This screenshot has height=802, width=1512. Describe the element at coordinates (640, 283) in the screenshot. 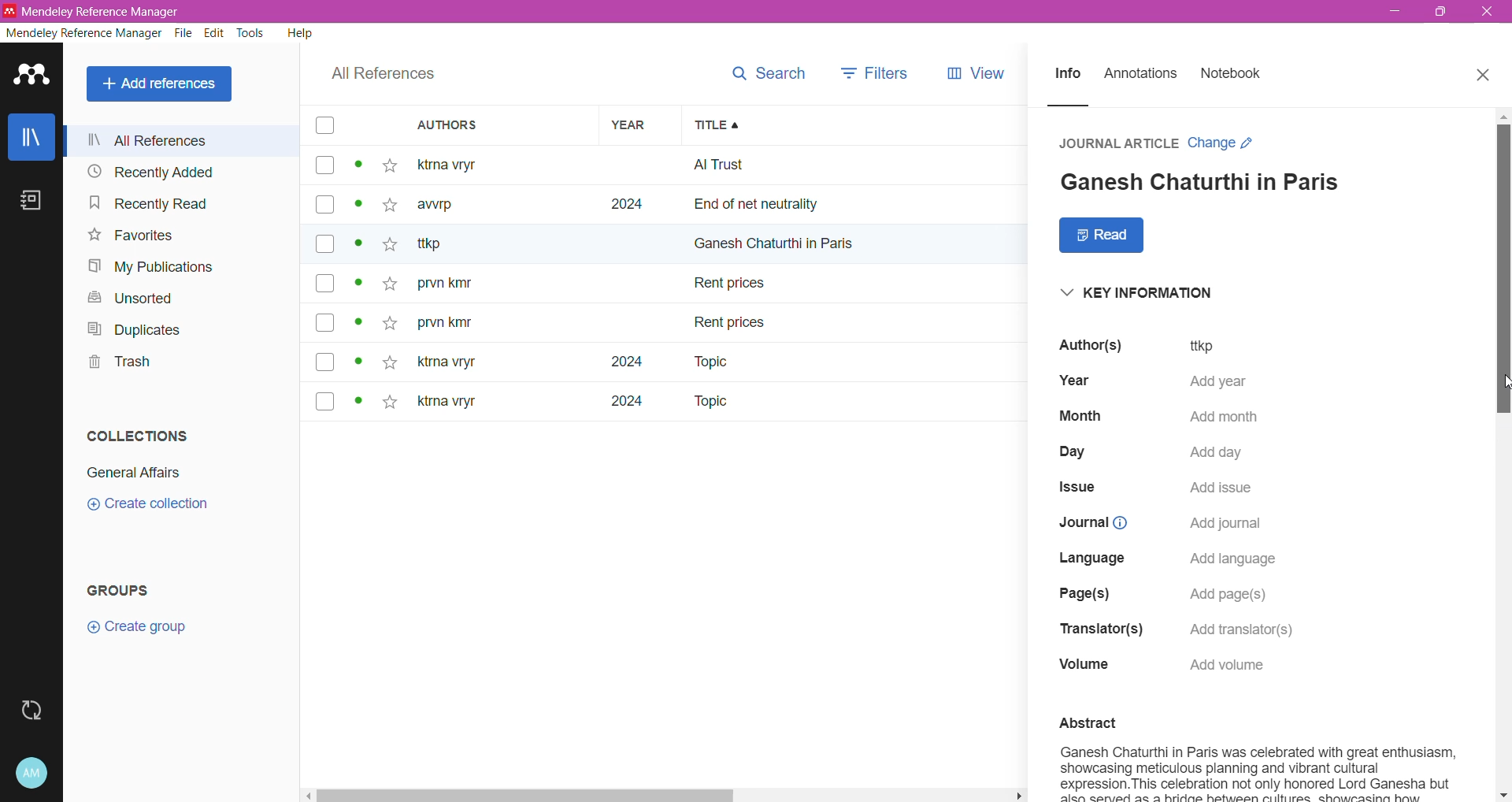

I see `Year of the references` at that location.